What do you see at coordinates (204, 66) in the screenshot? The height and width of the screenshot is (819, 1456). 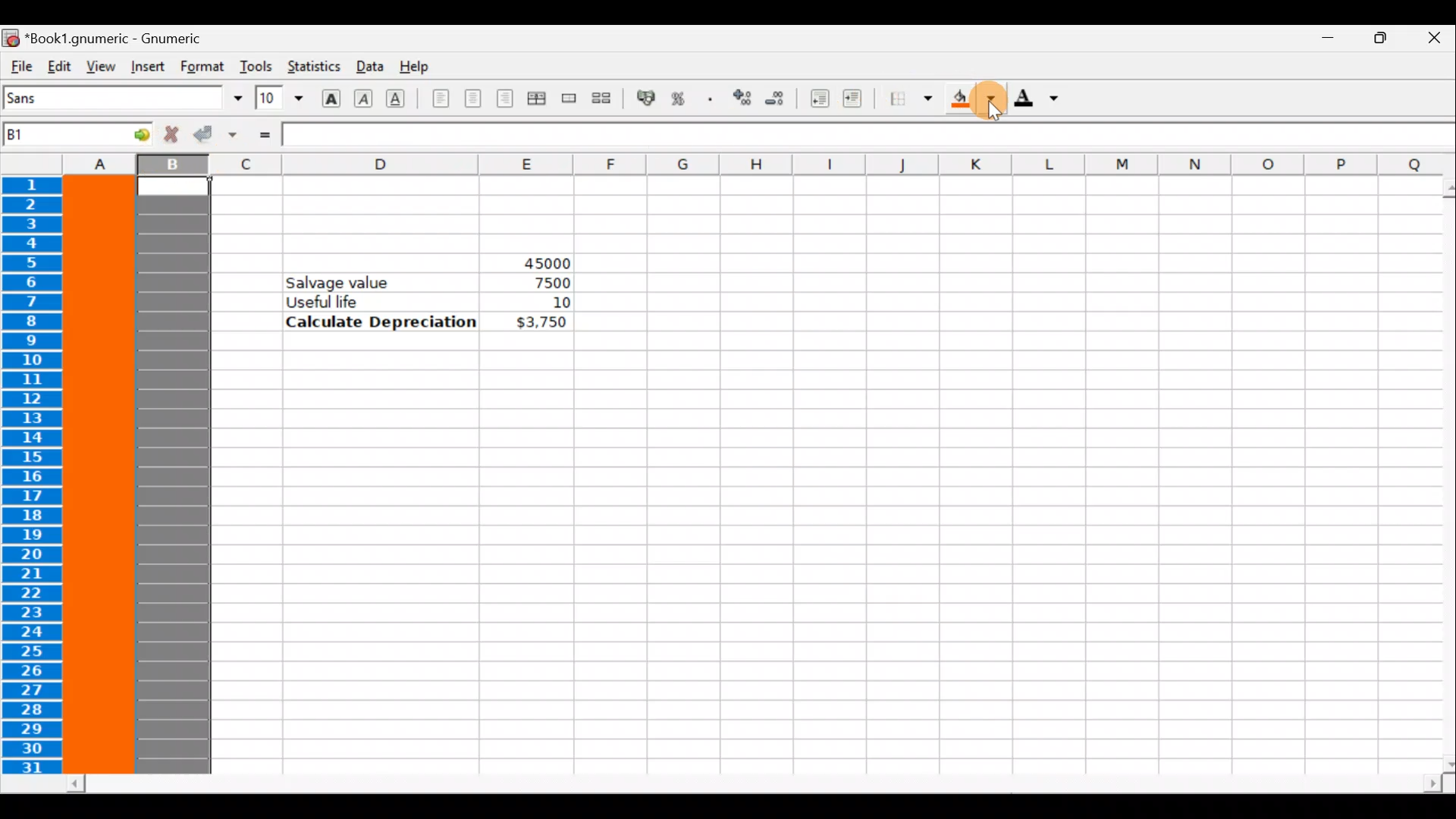 I see `Format` at bounding box center [204, 66].